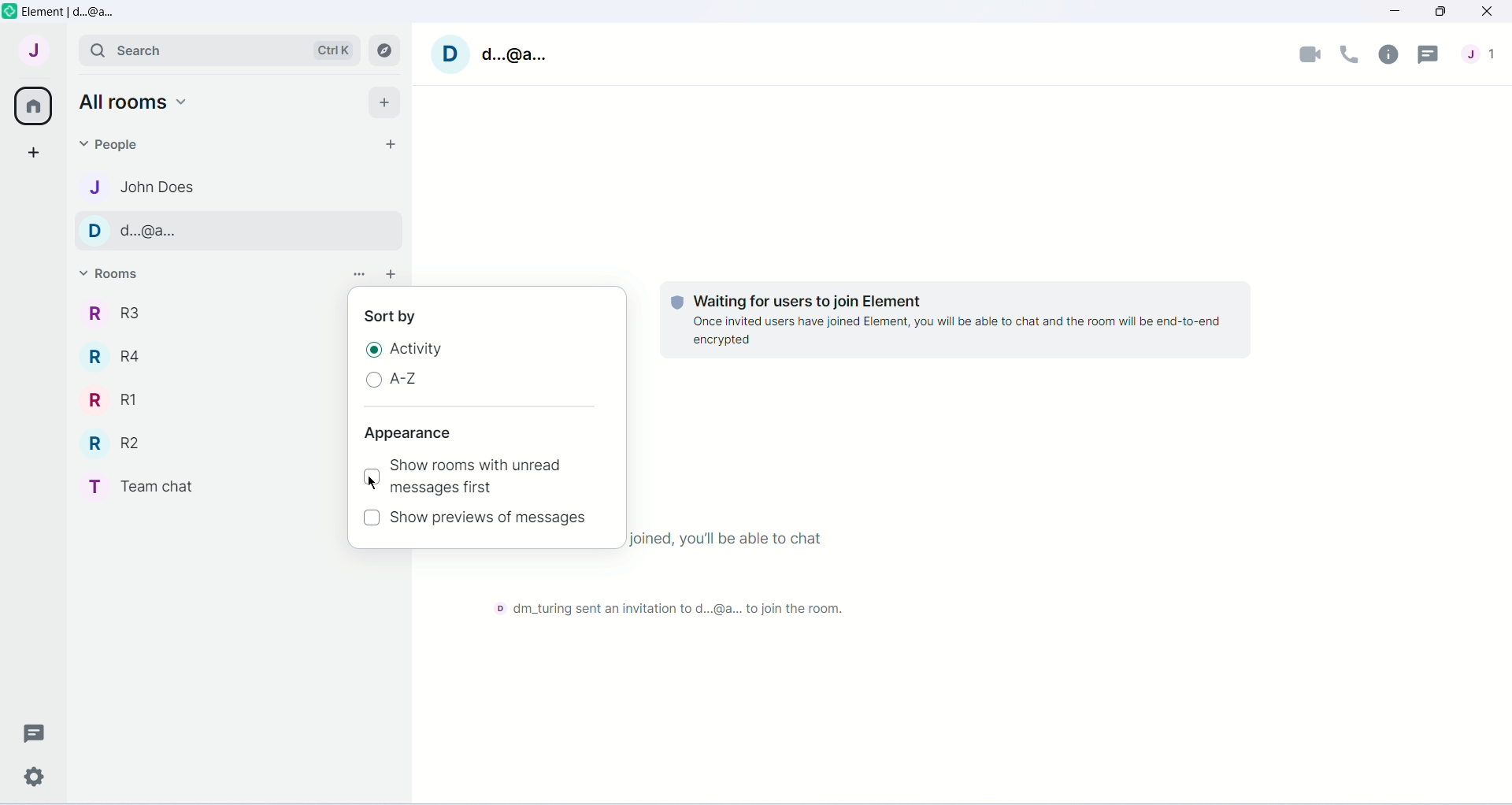  What do you see at coordinates (408, 434) in the screenshot?
I see `Appearance` at bounding box center [408, 434].